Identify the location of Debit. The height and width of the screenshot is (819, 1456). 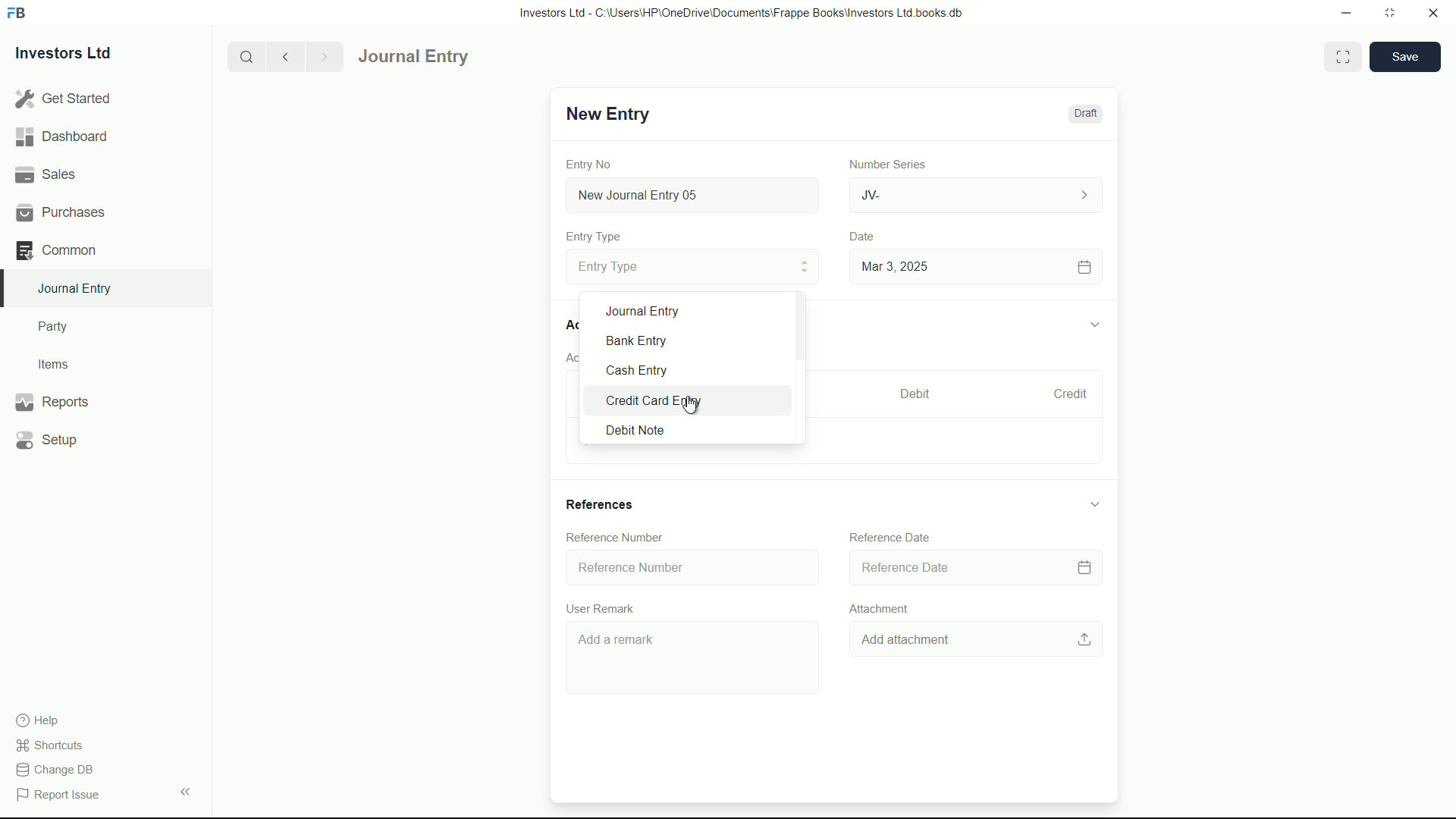
(908, 394).